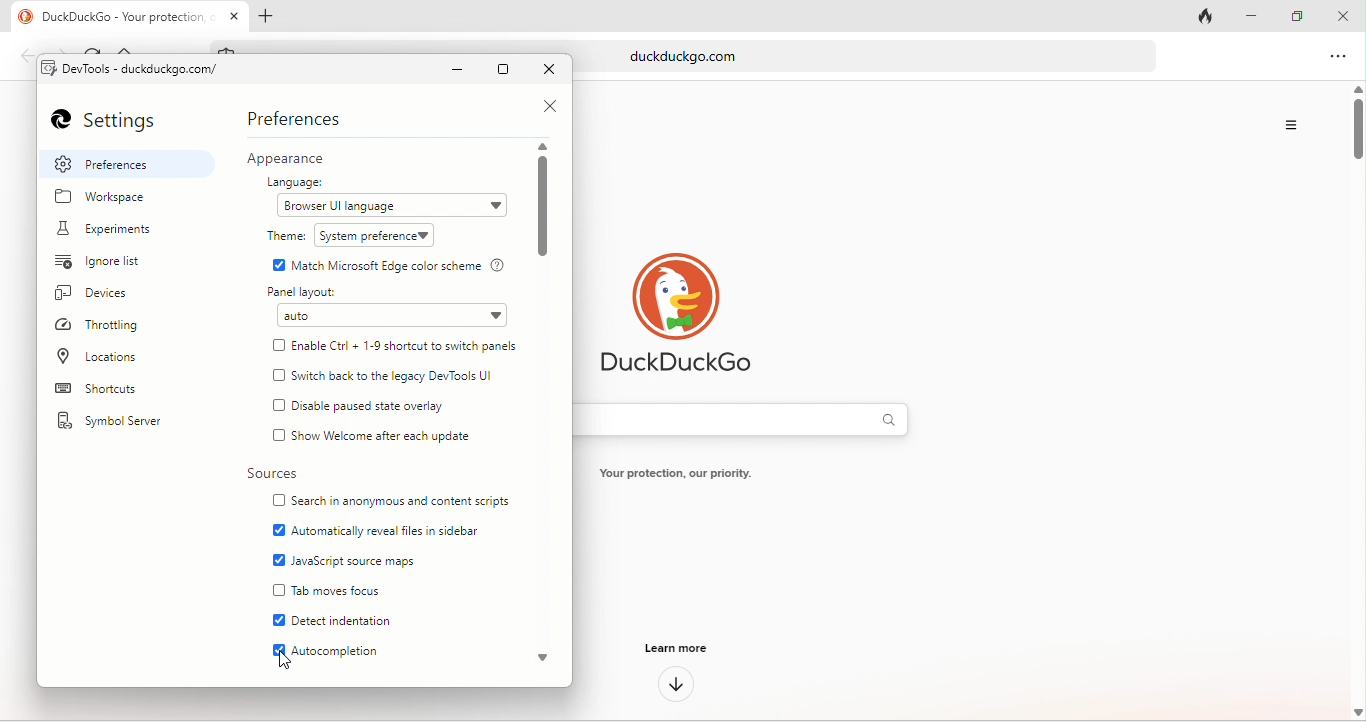 The image size is (1366, 722). I want to click on appearance, so click(301, 159).